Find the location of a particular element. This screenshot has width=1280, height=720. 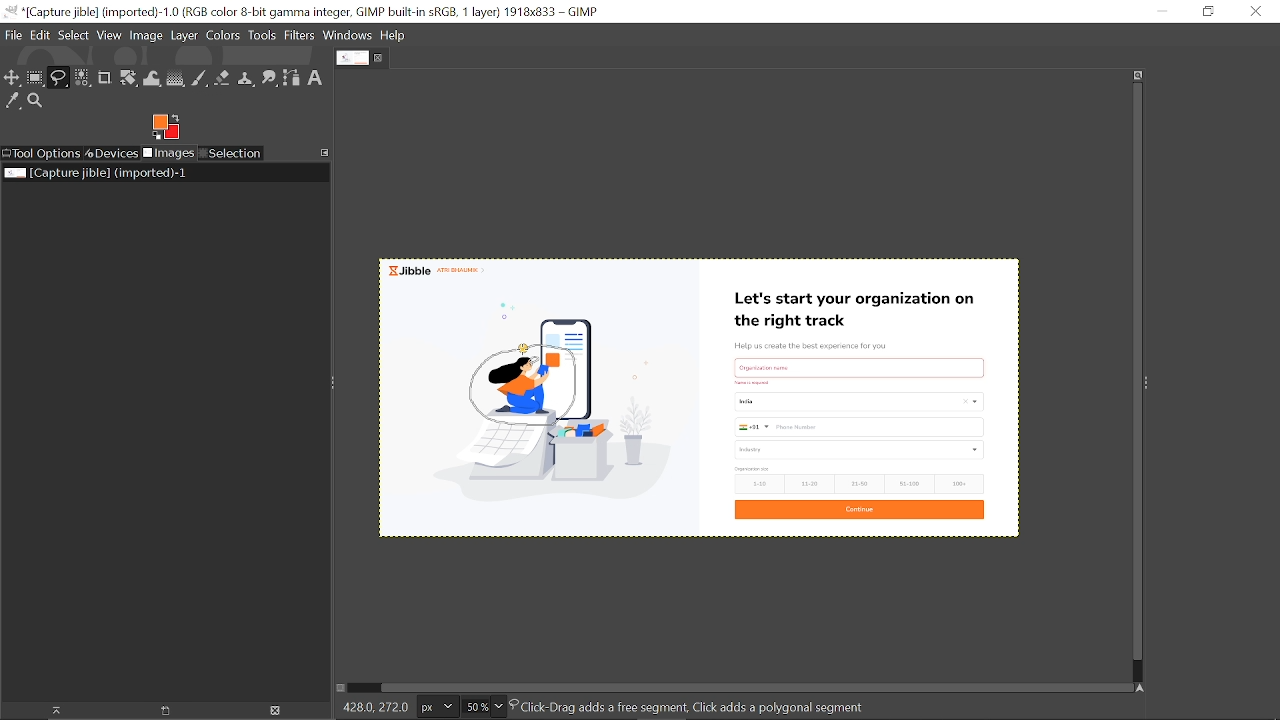

Path tool is located at coordinates (292, 78).